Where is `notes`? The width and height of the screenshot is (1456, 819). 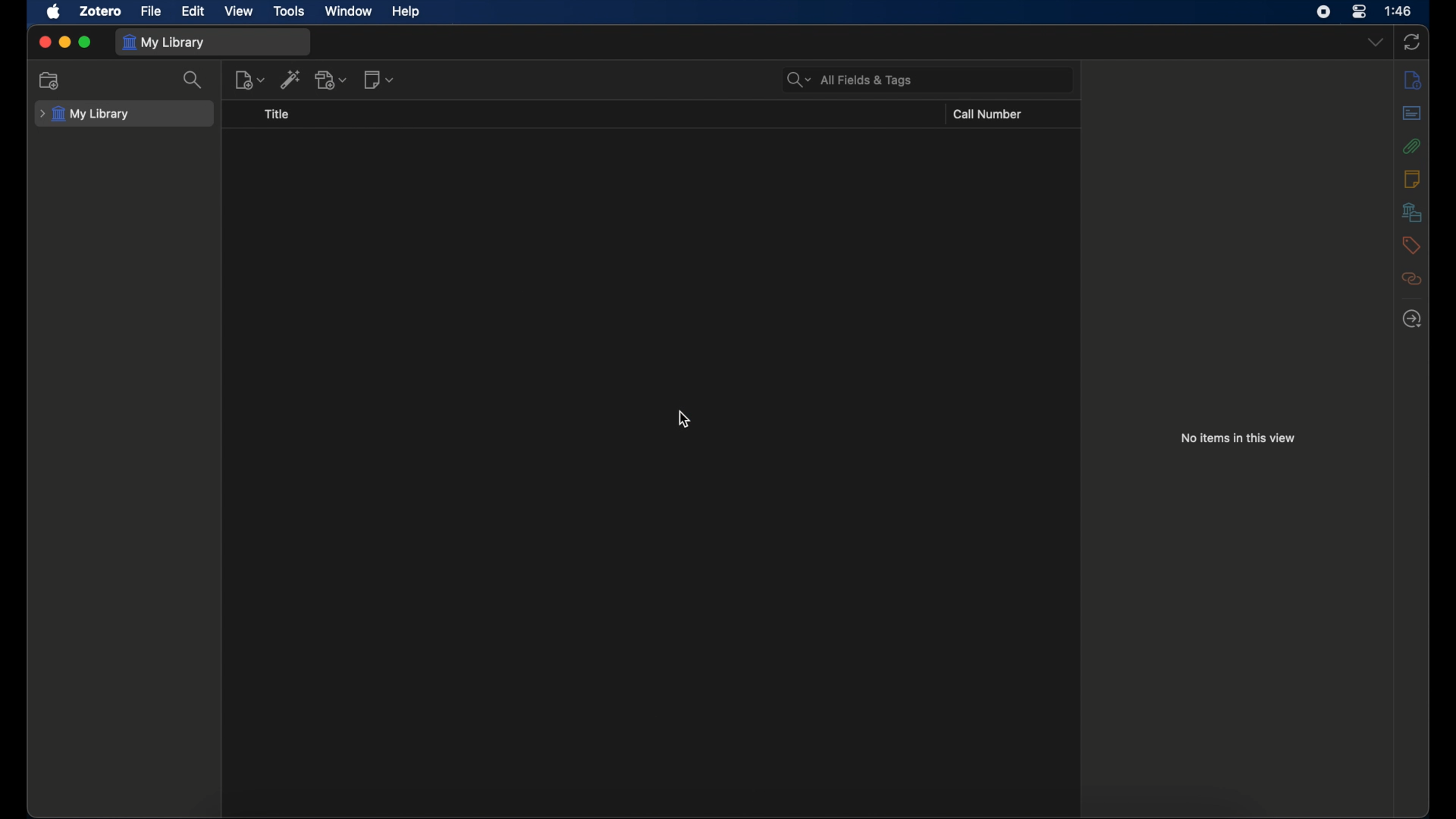
notes is located at coordinates (1412, 178).